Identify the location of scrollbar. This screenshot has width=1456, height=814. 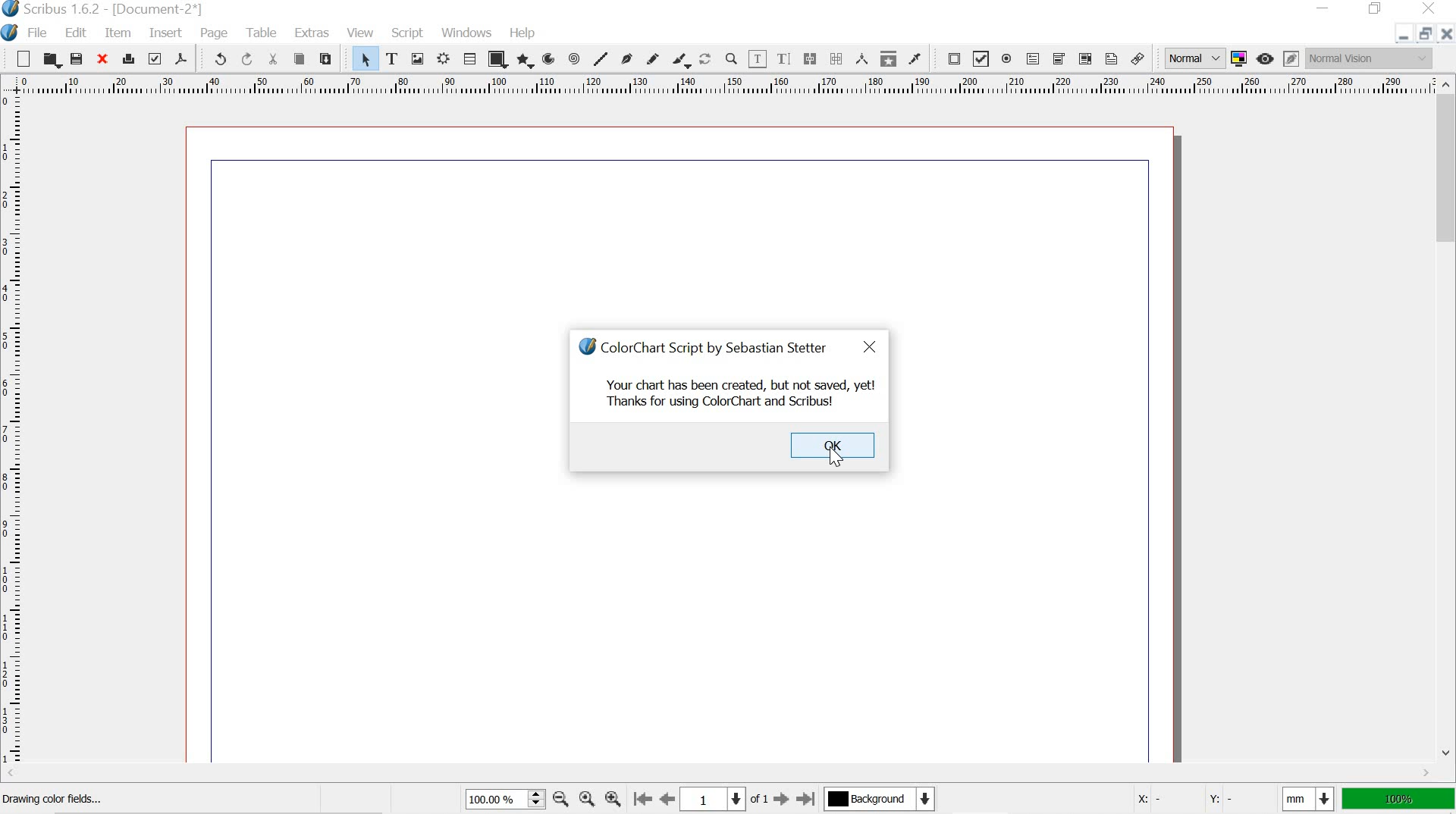
(1447, 421).